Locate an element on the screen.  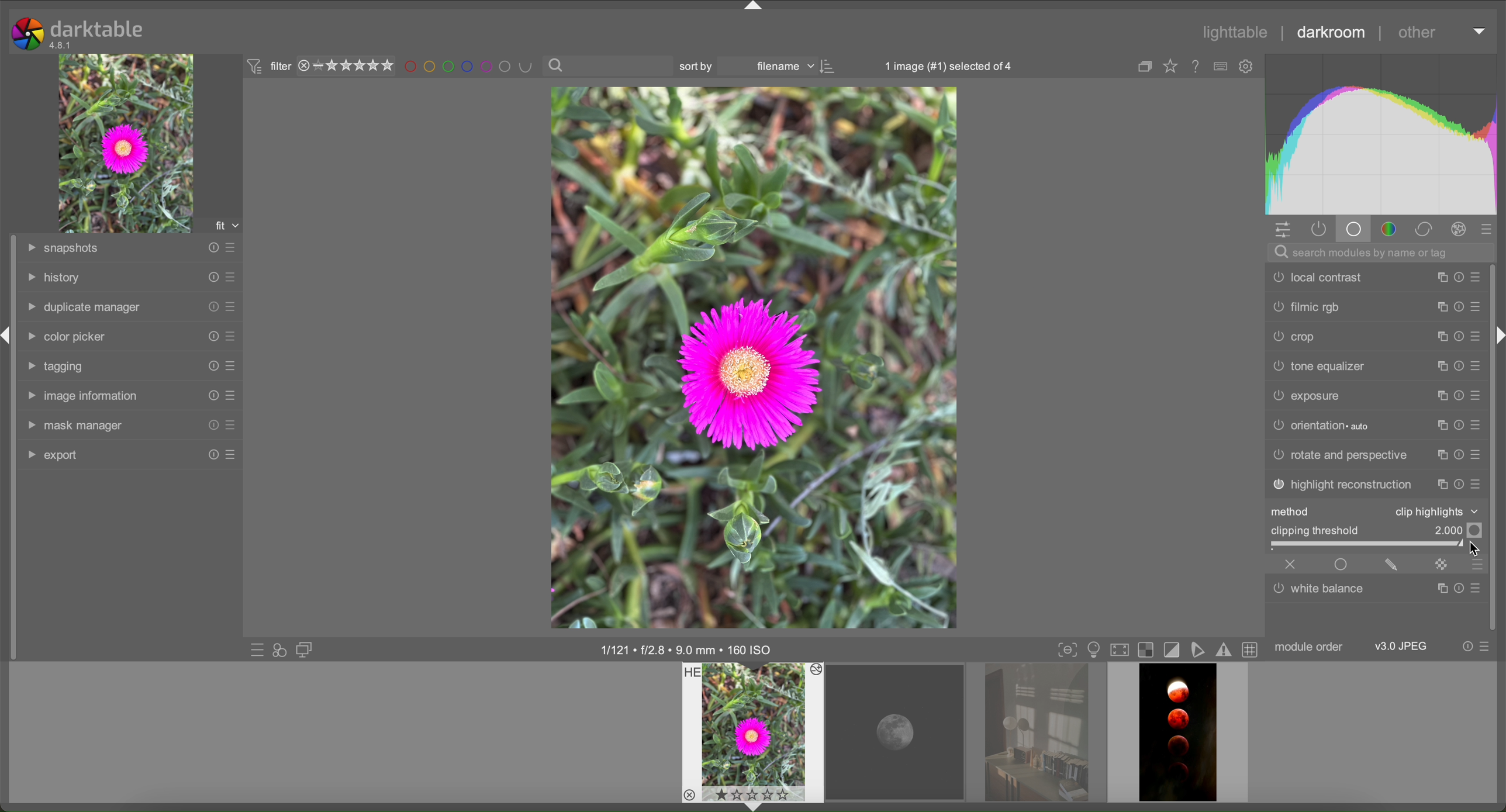
duplicate manager tab is located at coordinates (84, 308).